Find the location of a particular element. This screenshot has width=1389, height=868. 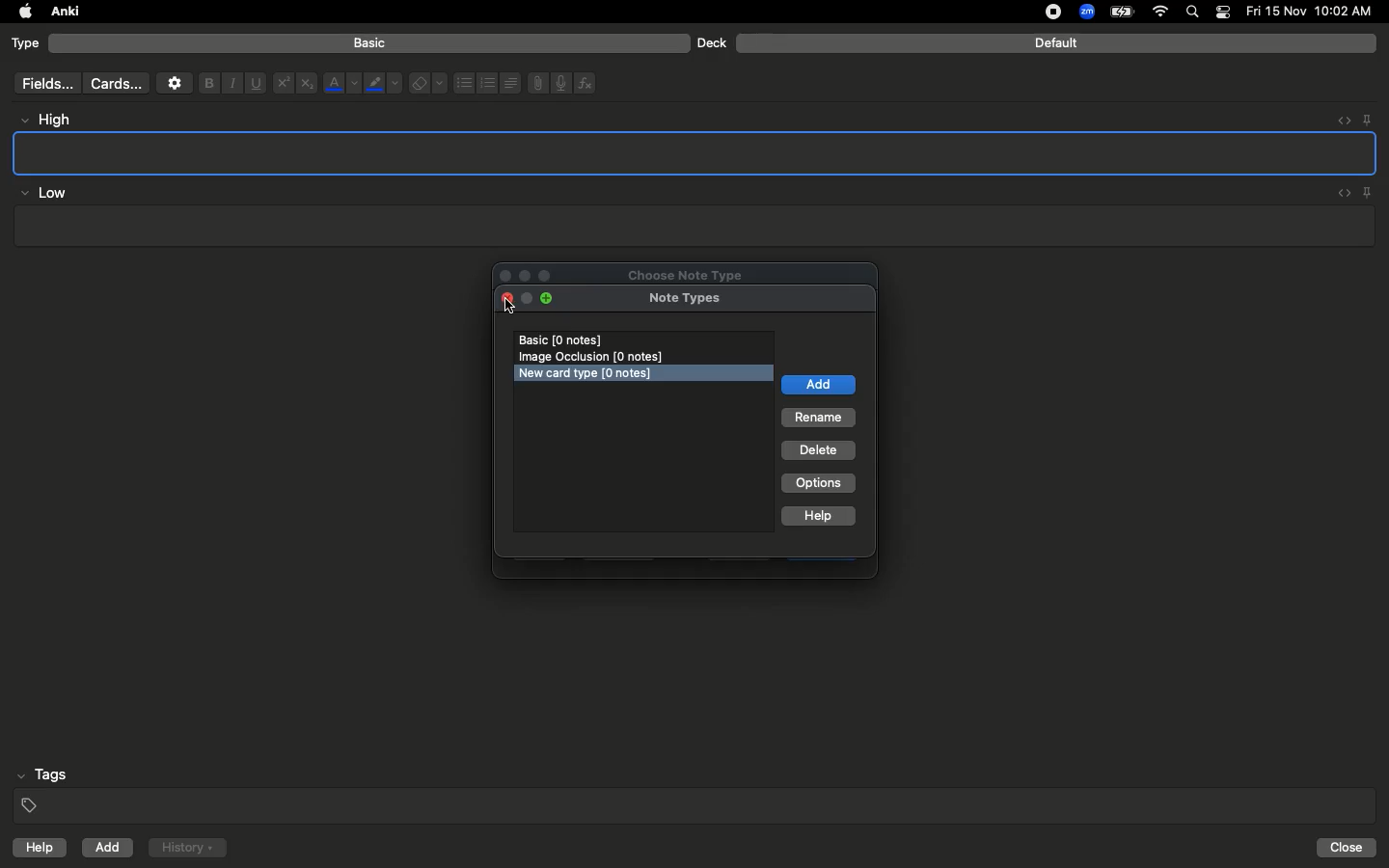

Fields is located at coordinates (43, 83).